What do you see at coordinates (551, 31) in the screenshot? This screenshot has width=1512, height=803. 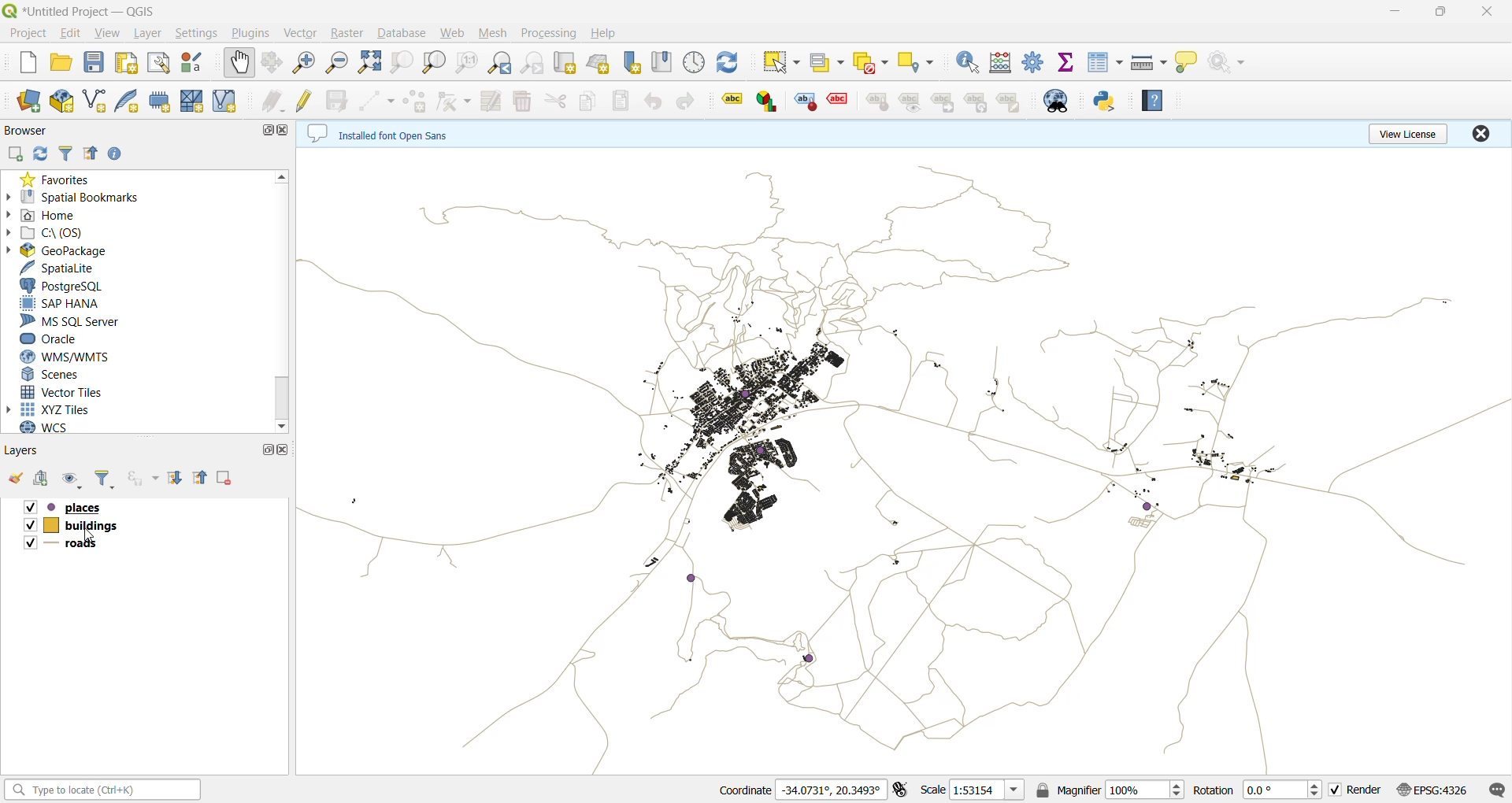 I see `processing` at bounding box center [551, 31].